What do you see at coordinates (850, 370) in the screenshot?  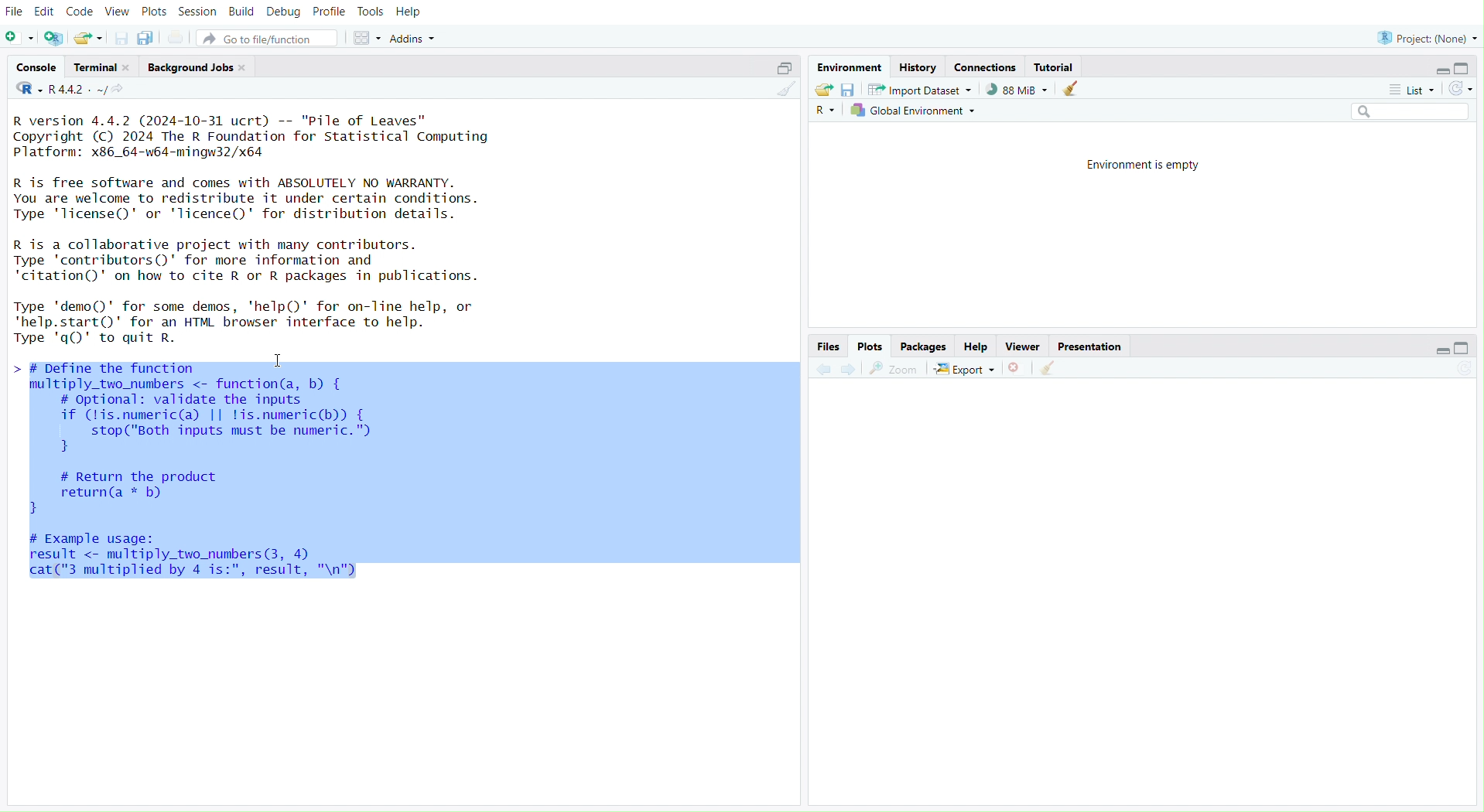 I see `Go forward to the next source location (Ctrl + F10)` at bounding box center [850, 370].